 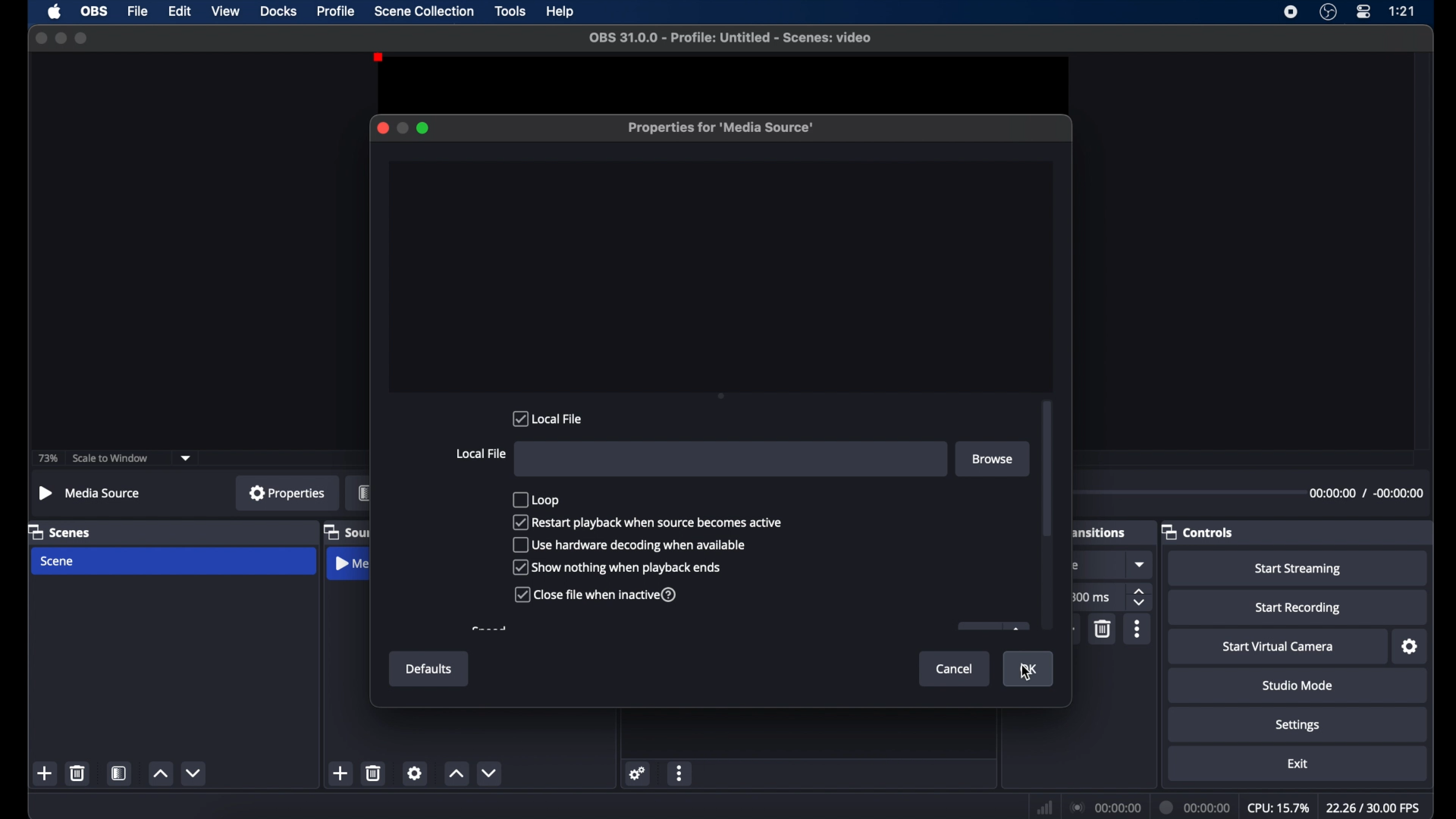 I want to click on increment, so click(x=455, y=773).